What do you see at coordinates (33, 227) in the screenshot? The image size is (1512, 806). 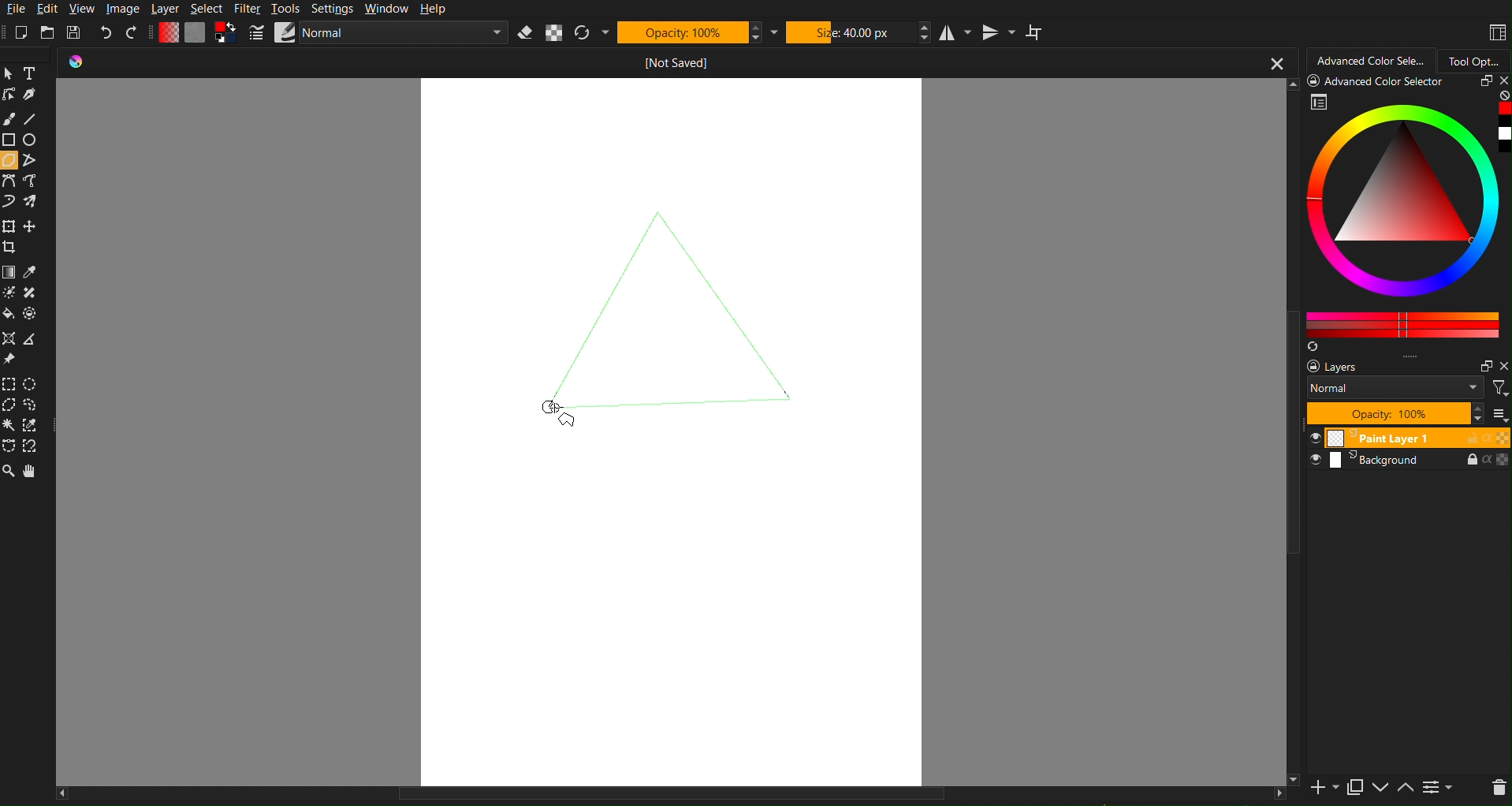 I see `move a layer` at bounding box center [33, 227].